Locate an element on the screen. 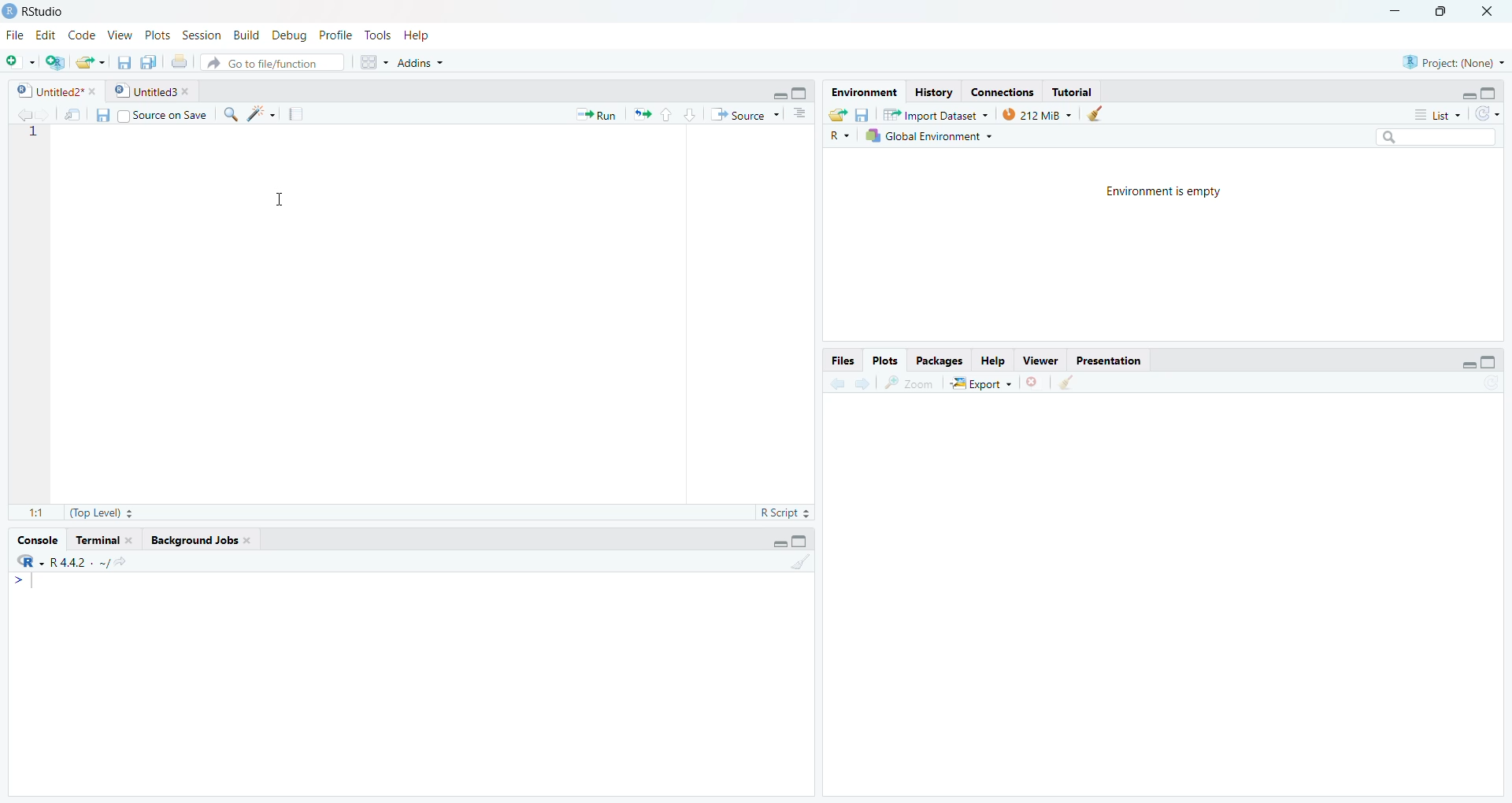 The width and height of the screenshot is (1512, 803). save is located at coordinates (100, 114).